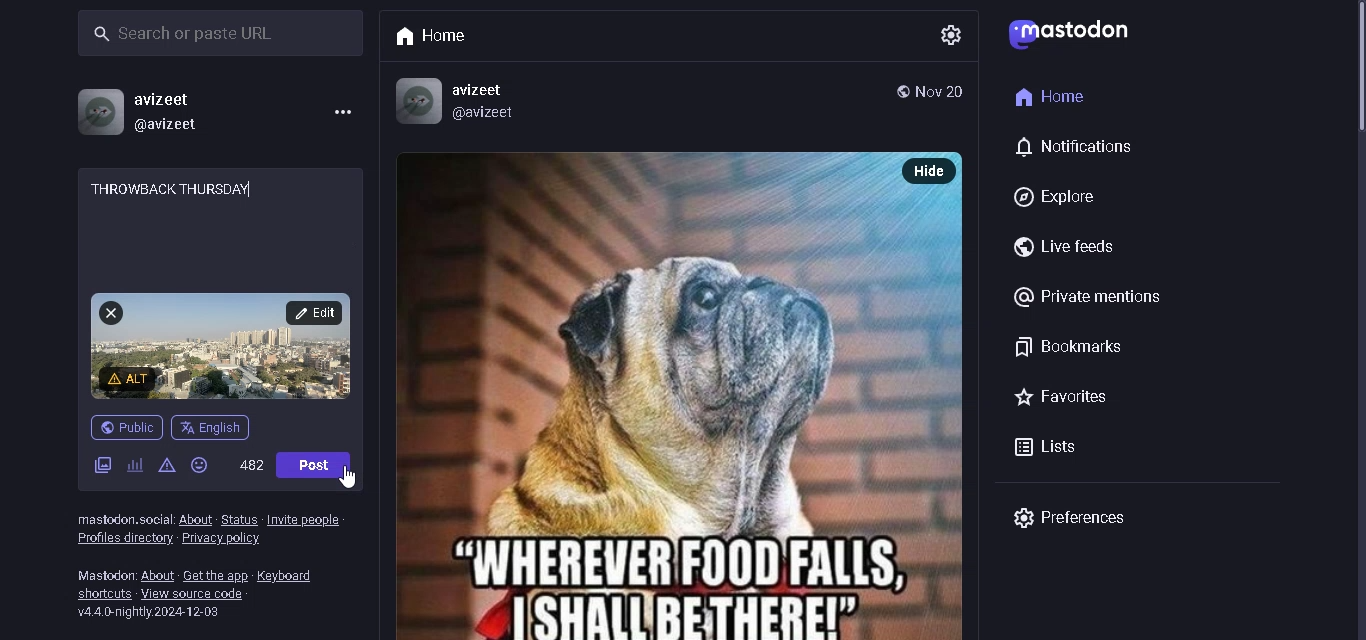 Image resolution: width=1366 pixels, height=640 pixels. What do you see at coordinates (1066, 347) in the screenshot?
I see `bookmarks` at bounding box center [1066, 347].